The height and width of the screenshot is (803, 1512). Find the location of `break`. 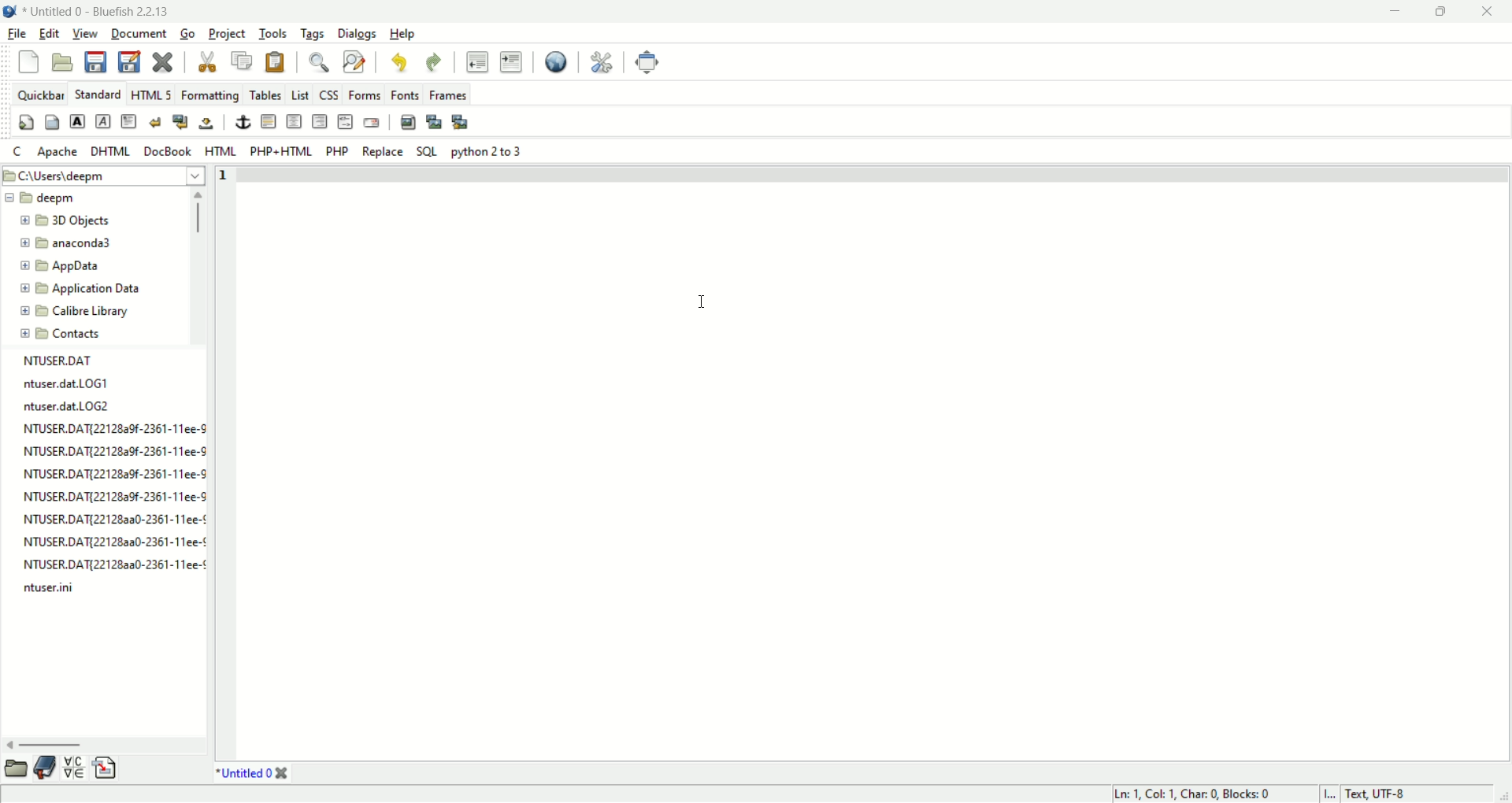

break is located at coordinates (157, 123).